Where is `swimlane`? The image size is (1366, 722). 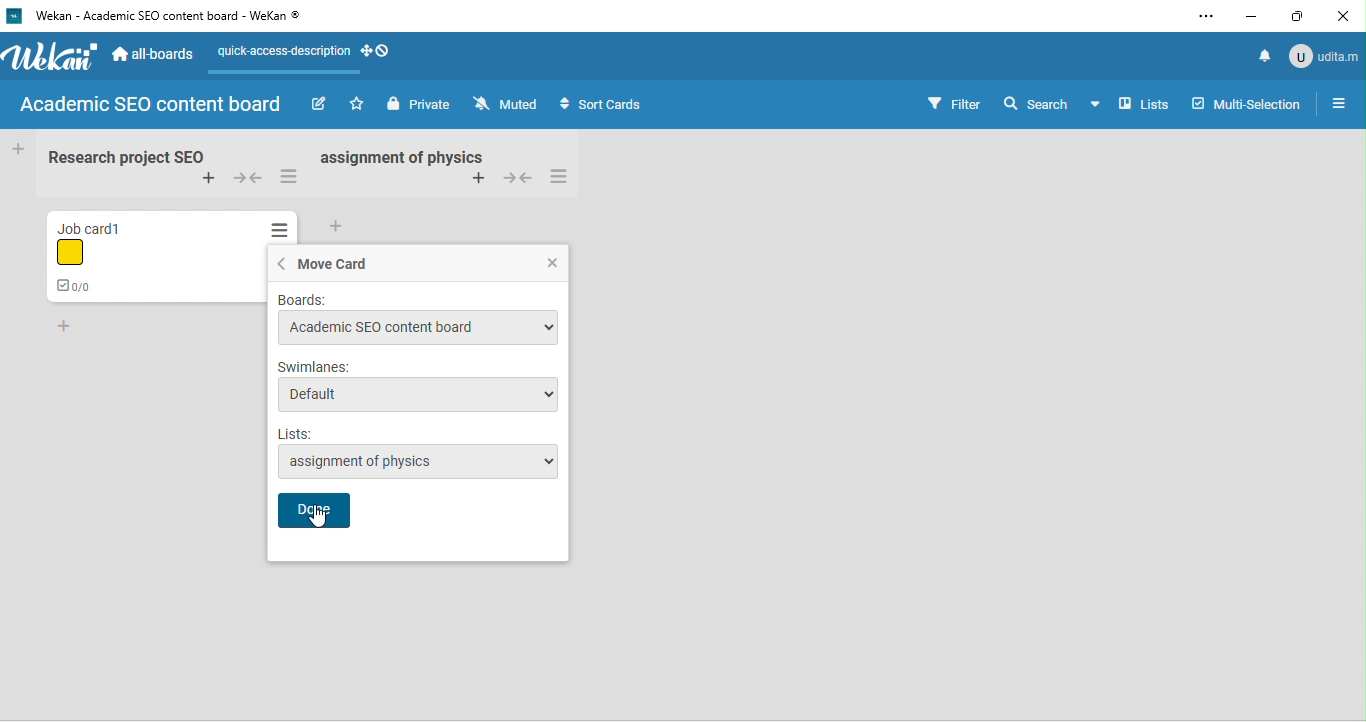
swimlane is located at coordinates (419, 366).